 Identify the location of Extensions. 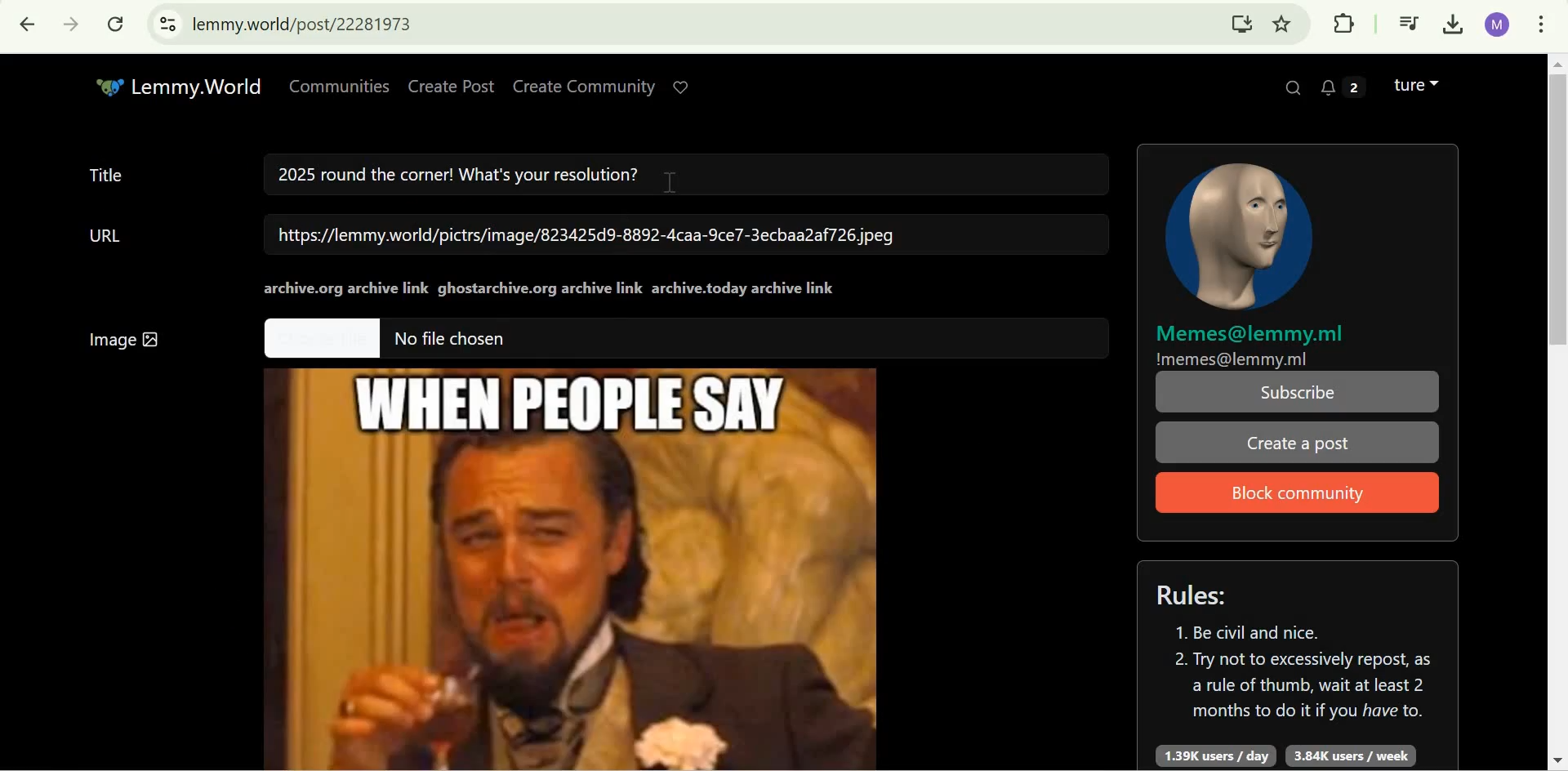
(1343, 23).